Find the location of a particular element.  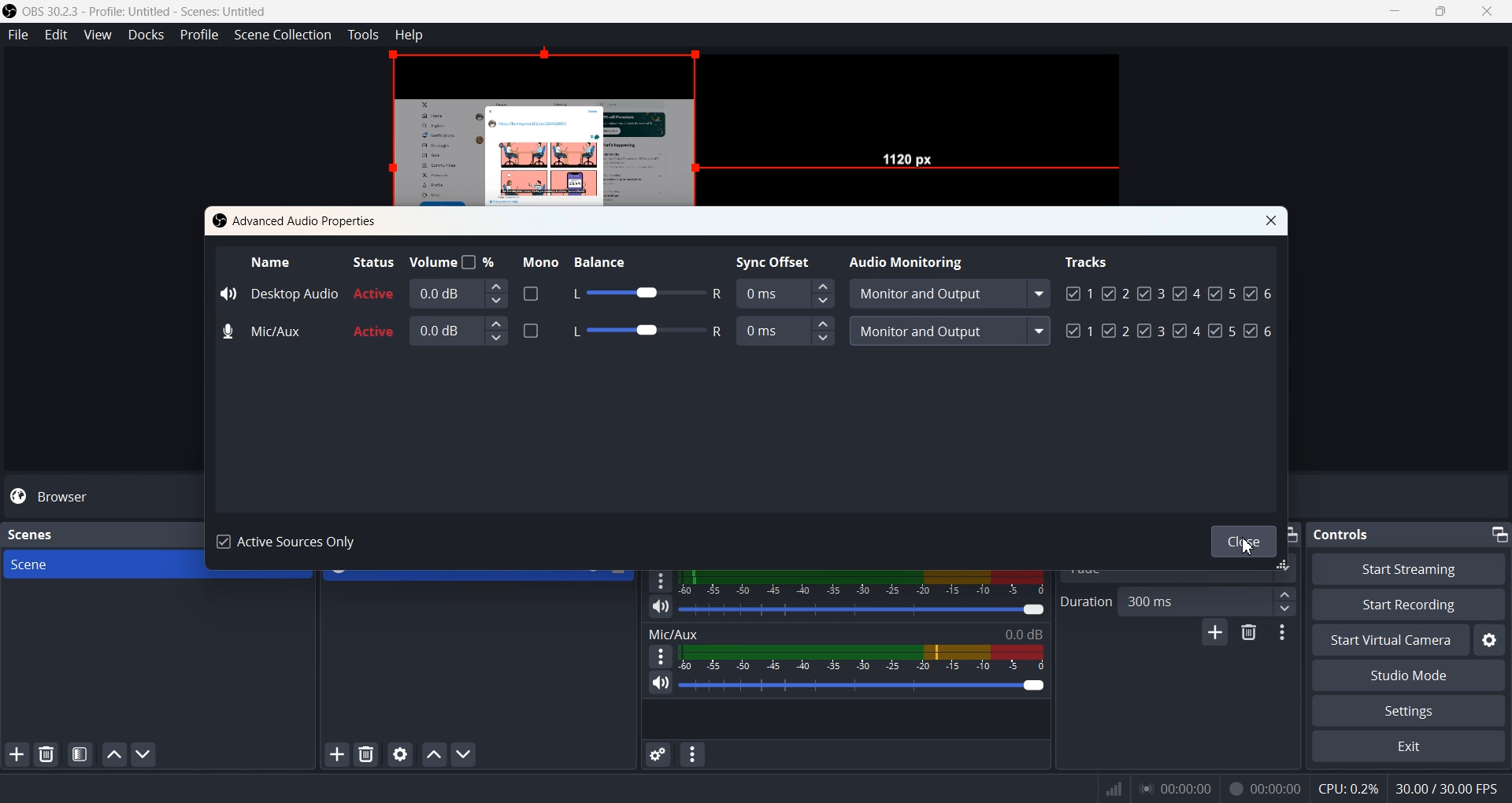

Edit is located at coordinates (57, 35).